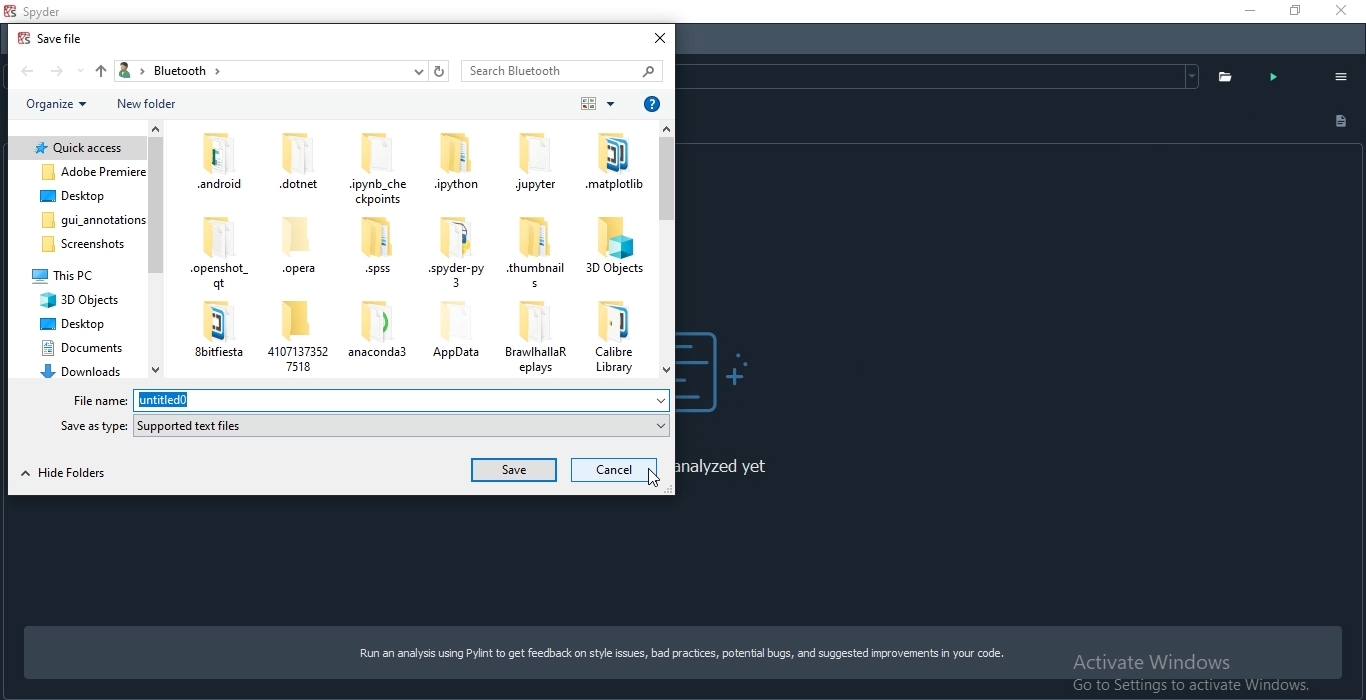 Image resolution: width=1366 pixels, height=700 pixels. I want to click on scroll bar, so click(155, 250).